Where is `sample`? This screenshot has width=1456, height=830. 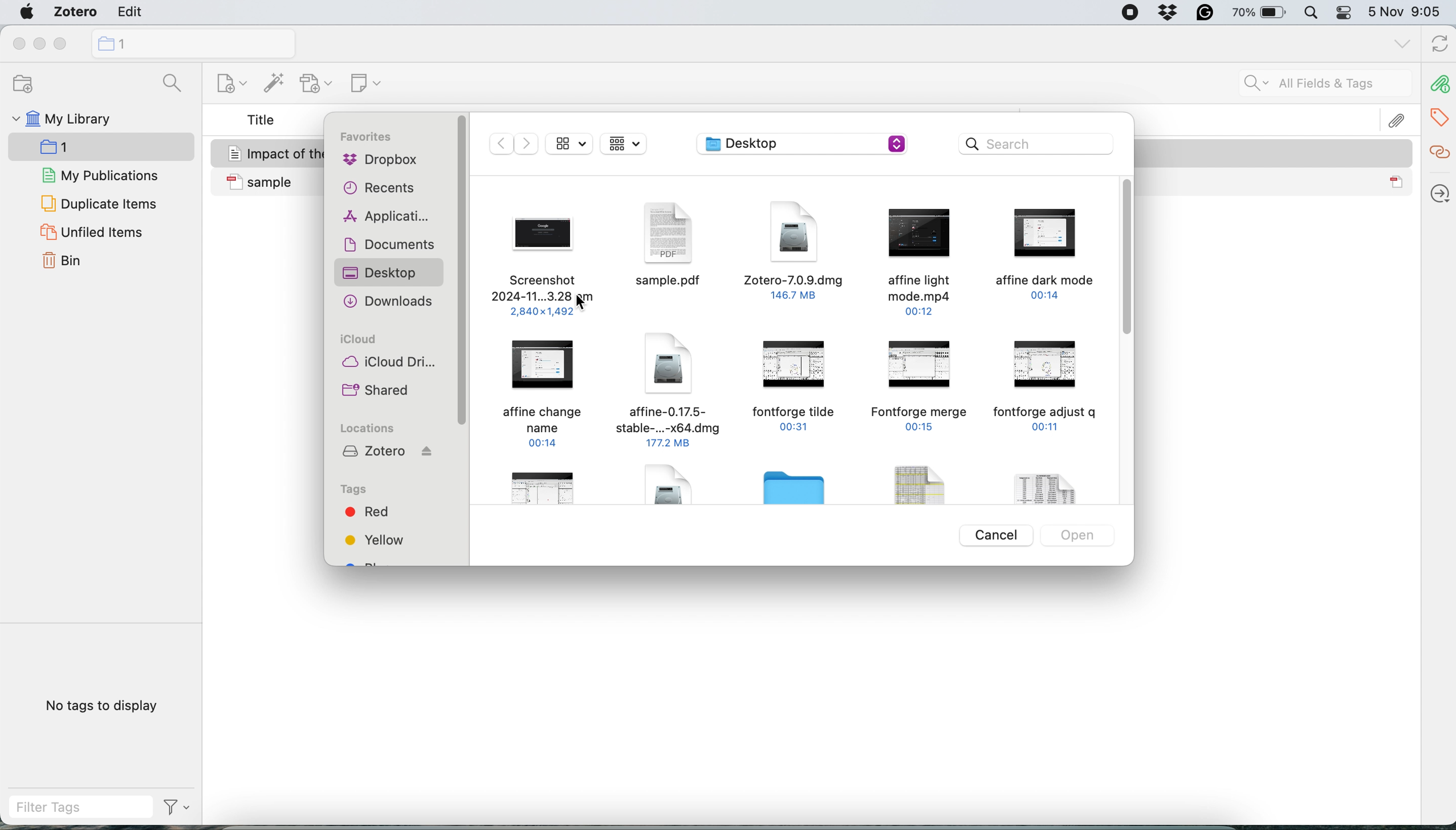
sample is located at coordinates (1276, 182).